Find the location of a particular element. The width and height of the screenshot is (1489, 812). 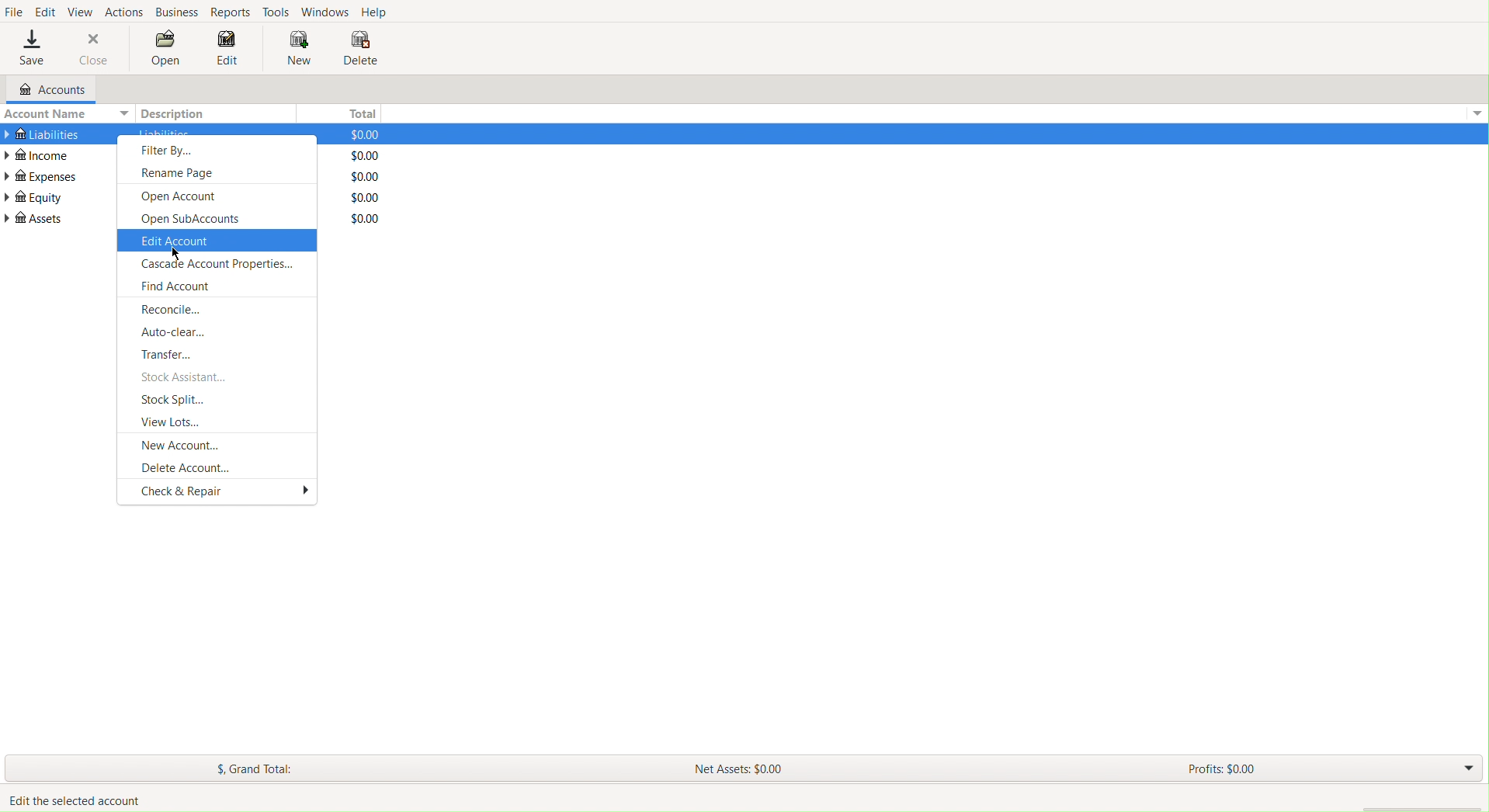

Find Account is located at coordinates (175, 289).